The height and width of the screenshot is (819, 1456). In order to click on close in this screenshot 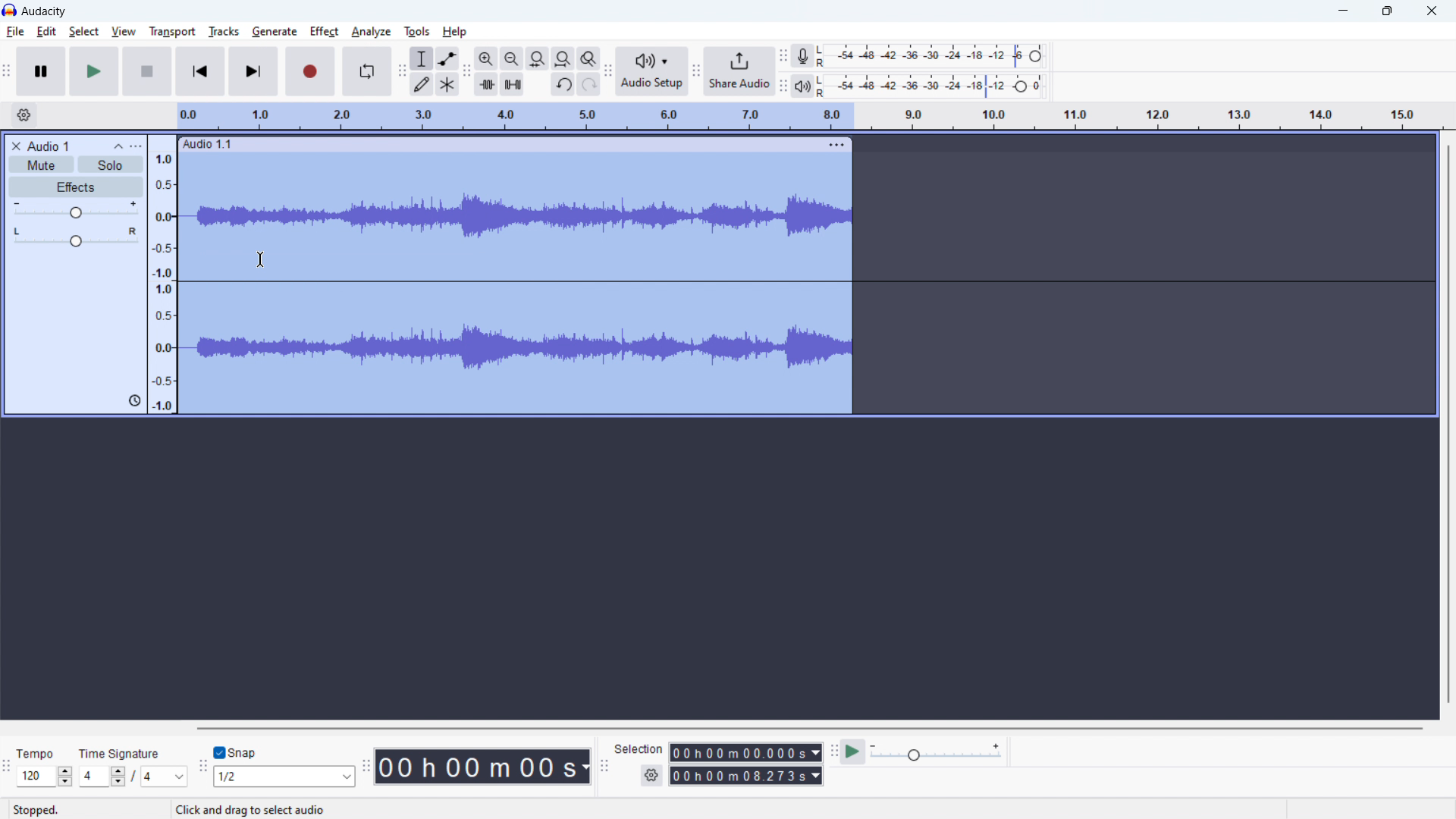, I will do `click(1433, 11)`.